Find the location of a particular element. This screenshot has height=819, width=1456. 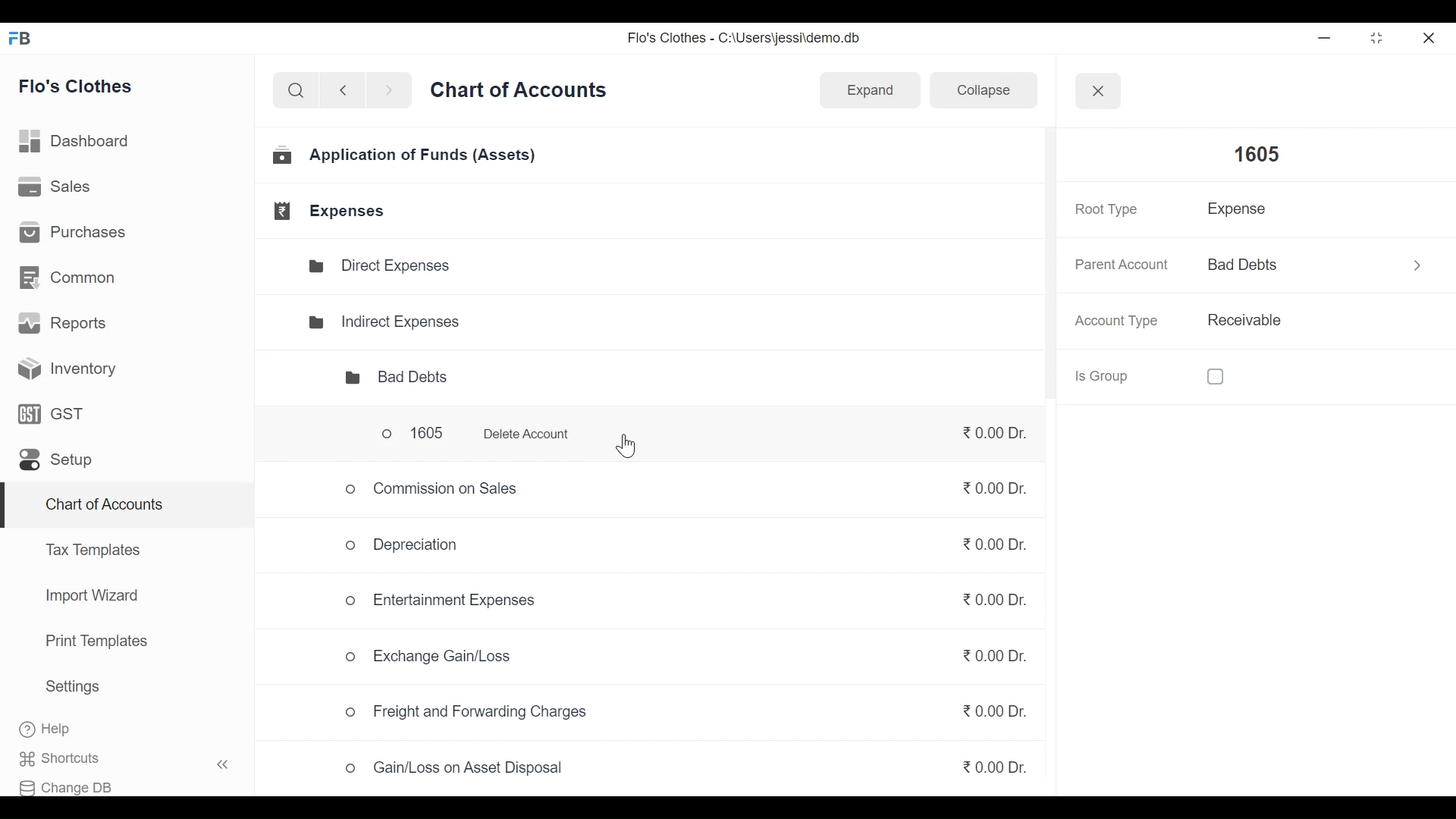

Shortcuts is located at coordinates (133, 758).